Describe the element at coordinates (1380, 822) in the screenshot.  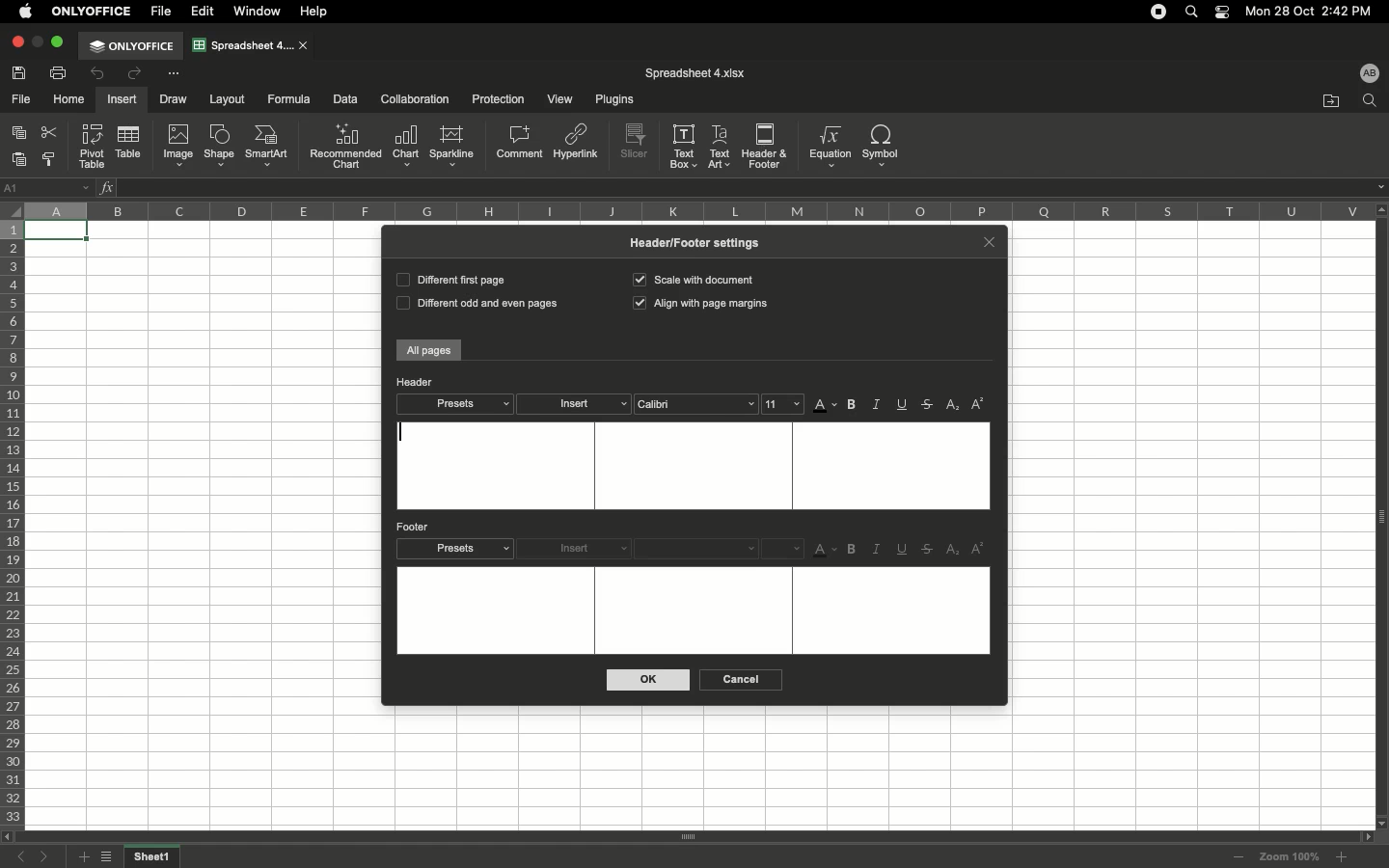
I see `scroll down` at that location.